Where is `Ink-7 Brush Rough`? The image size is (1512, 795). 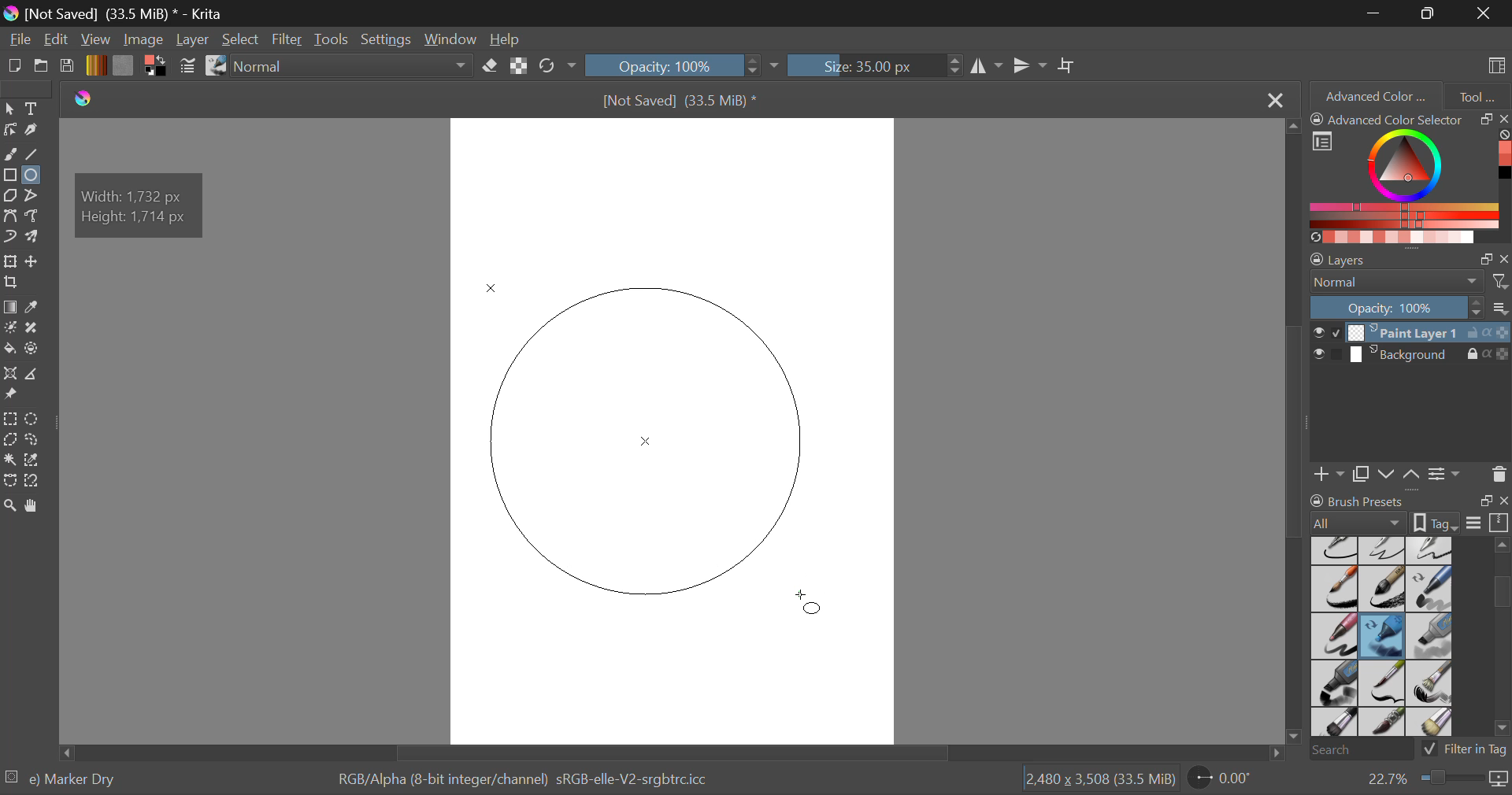
Ink-7 Brush Rough is located at coordinates (1332, 590).